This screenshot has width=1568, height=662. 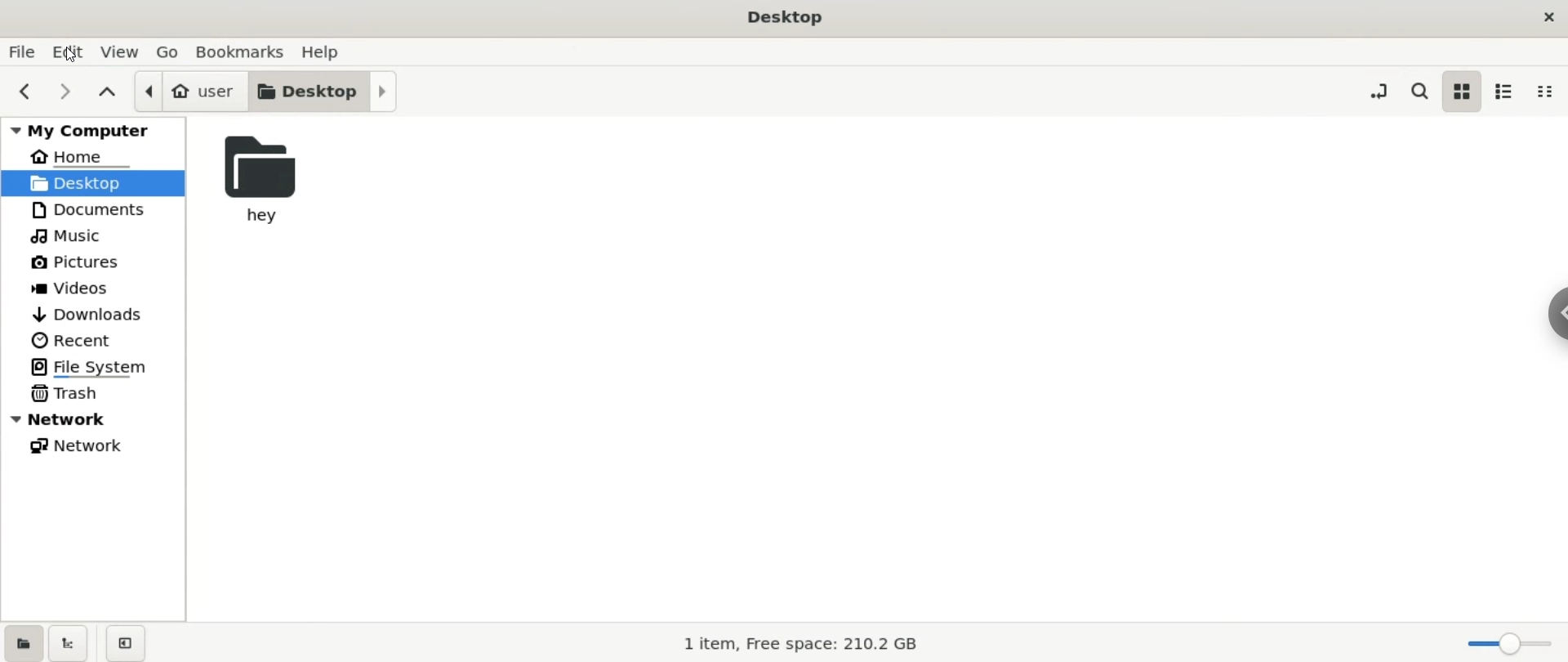 I want to click on trash, so click(x=73, y=395).